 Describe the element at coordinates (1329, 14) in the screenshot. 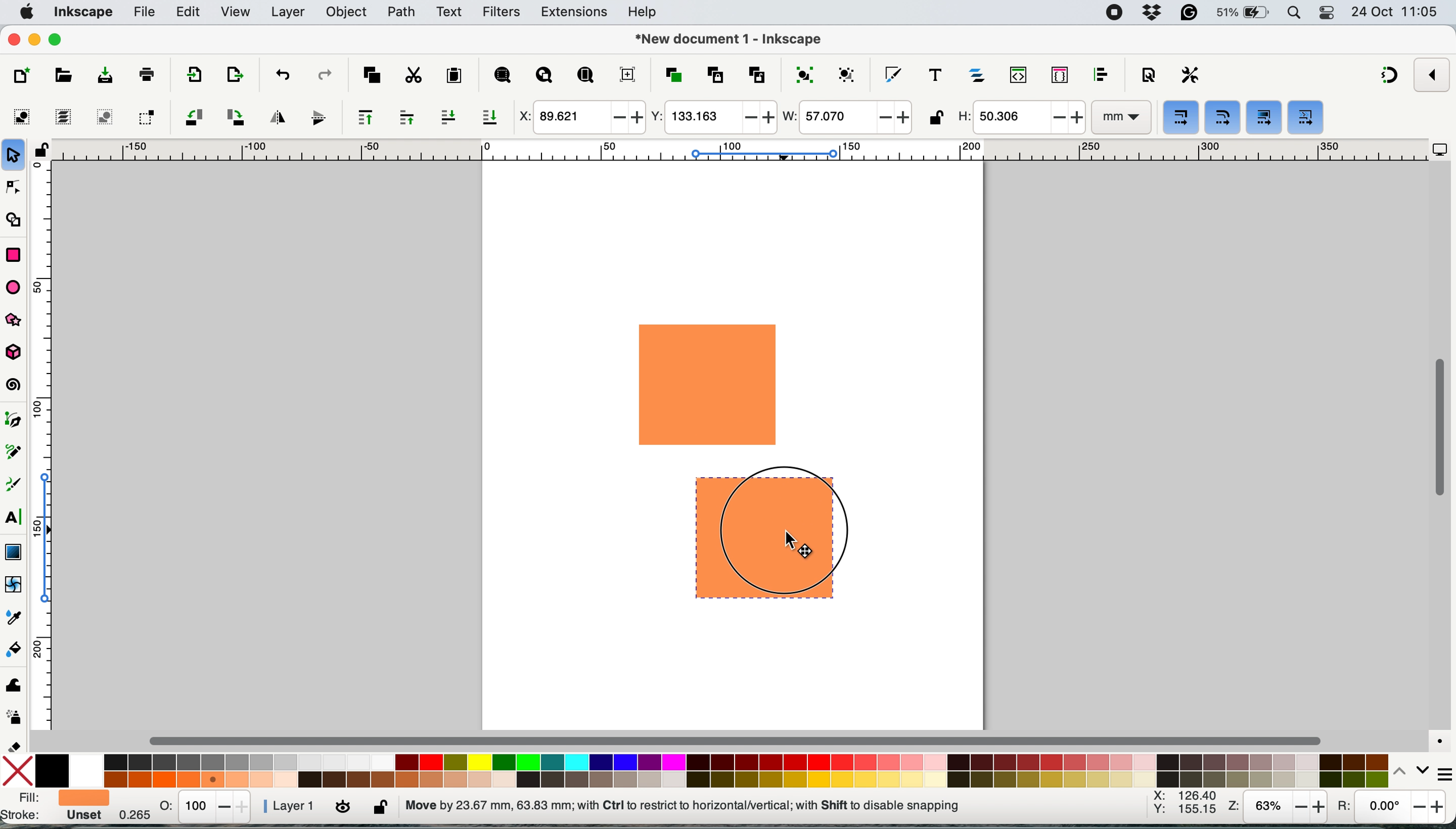

I see `control center` at that location.